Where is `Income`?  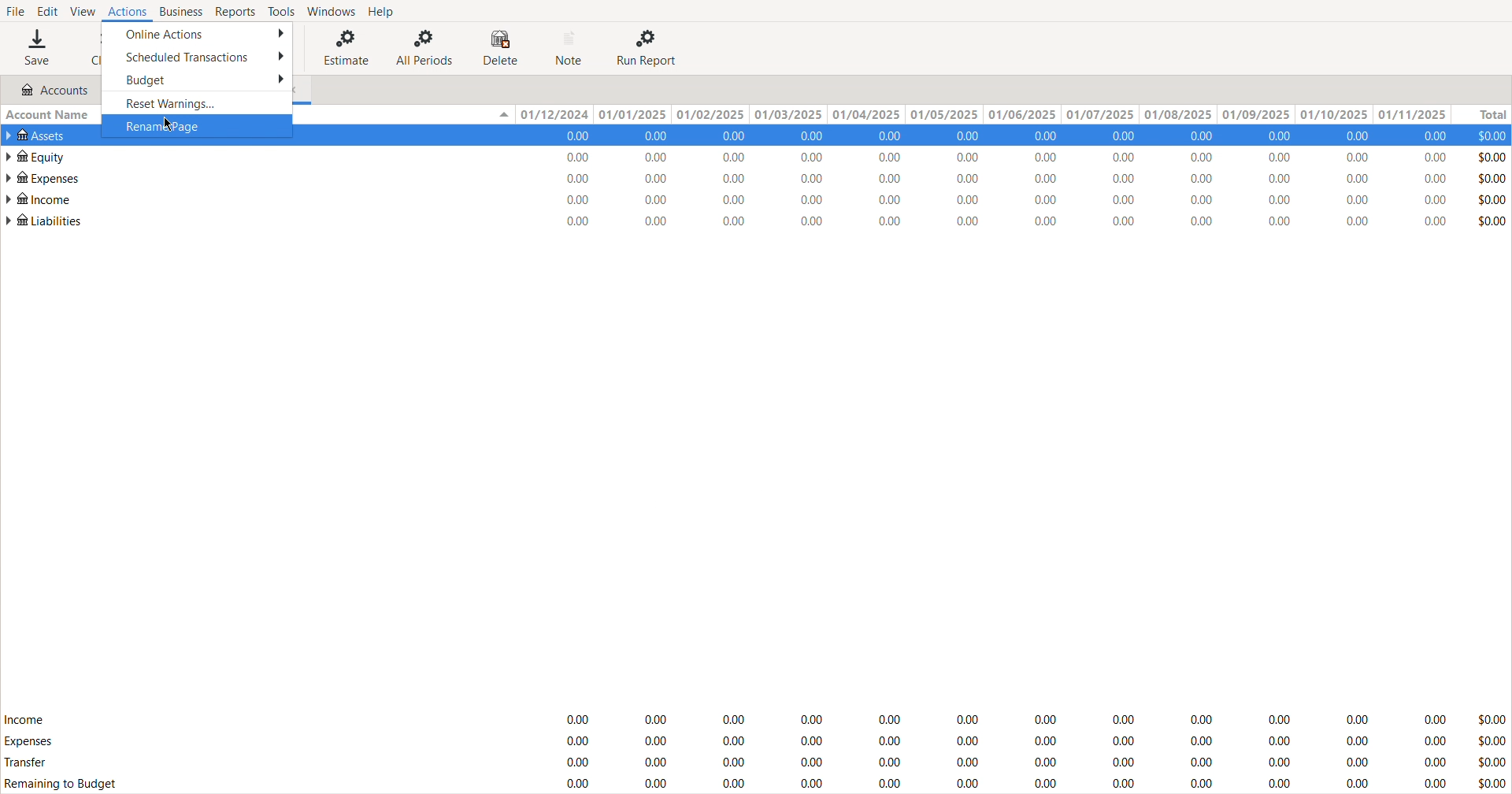
Income is located at coordinates (24, 718).